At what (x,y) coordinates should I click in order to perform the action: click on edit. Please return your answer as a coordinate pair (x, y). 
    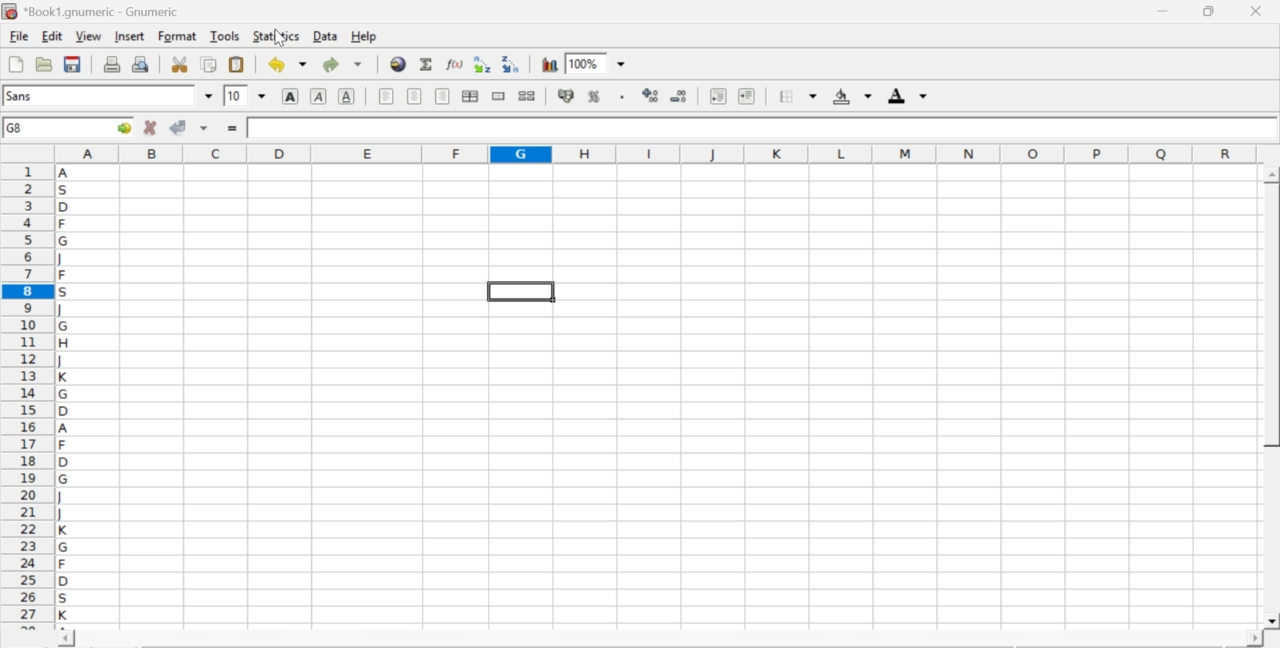
    Looking at the image, I should click on (52, 36).